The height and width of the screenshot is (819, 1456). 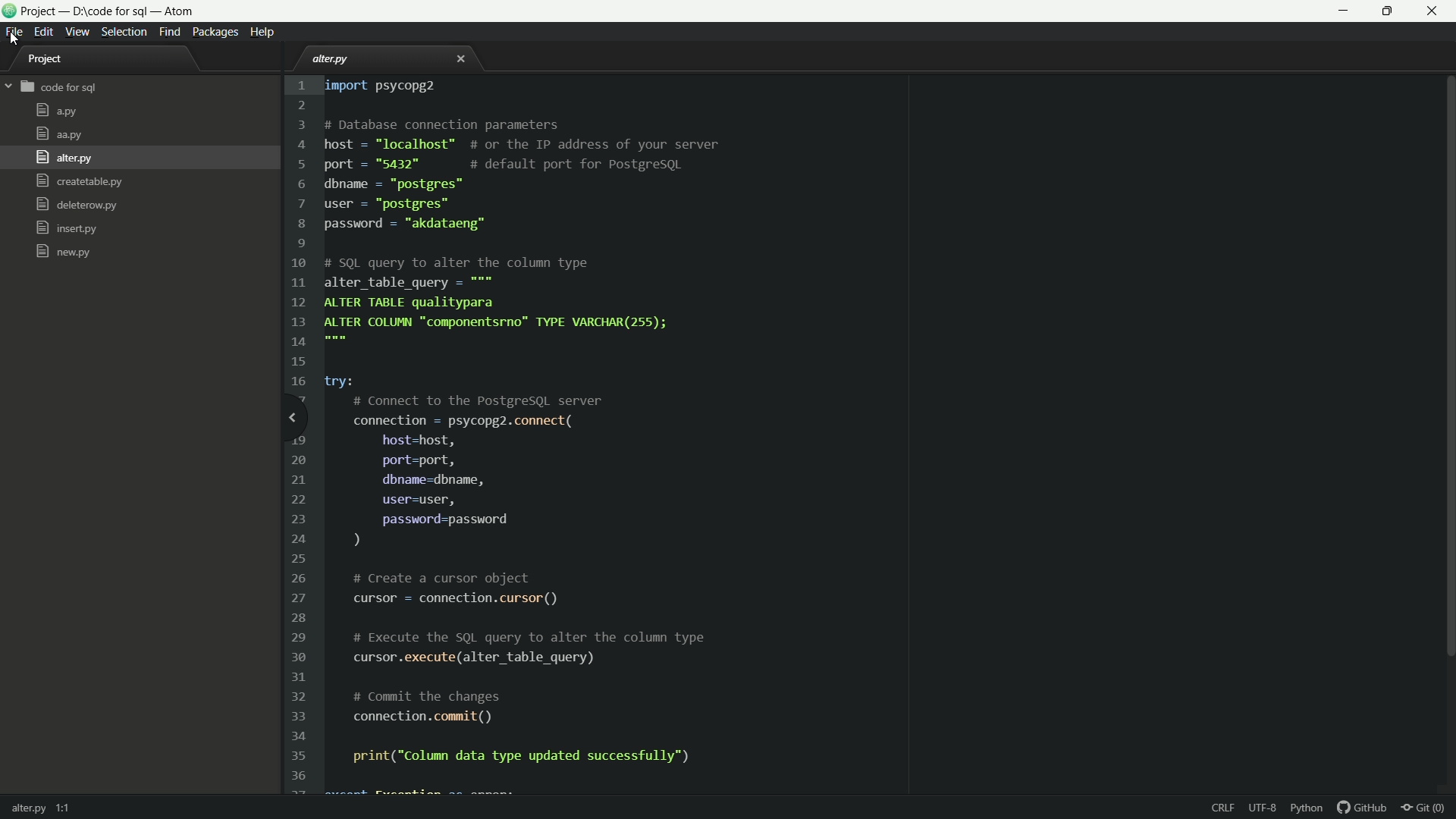 I want to click on logo, so click(x=9, y=13).